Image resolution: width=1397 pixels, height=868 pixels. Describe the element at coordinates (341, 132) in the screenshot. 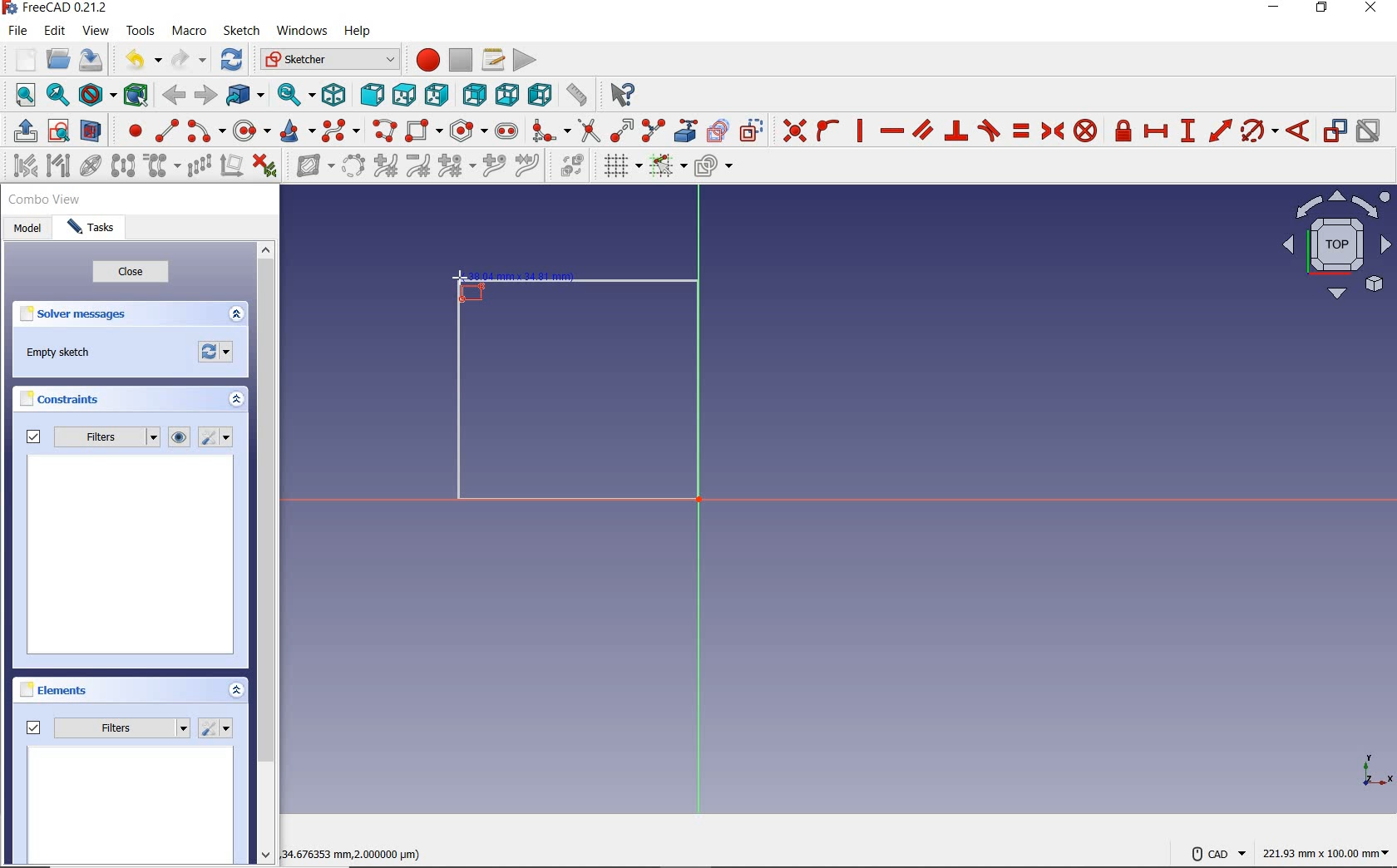

I see `create B-spline` at that location.